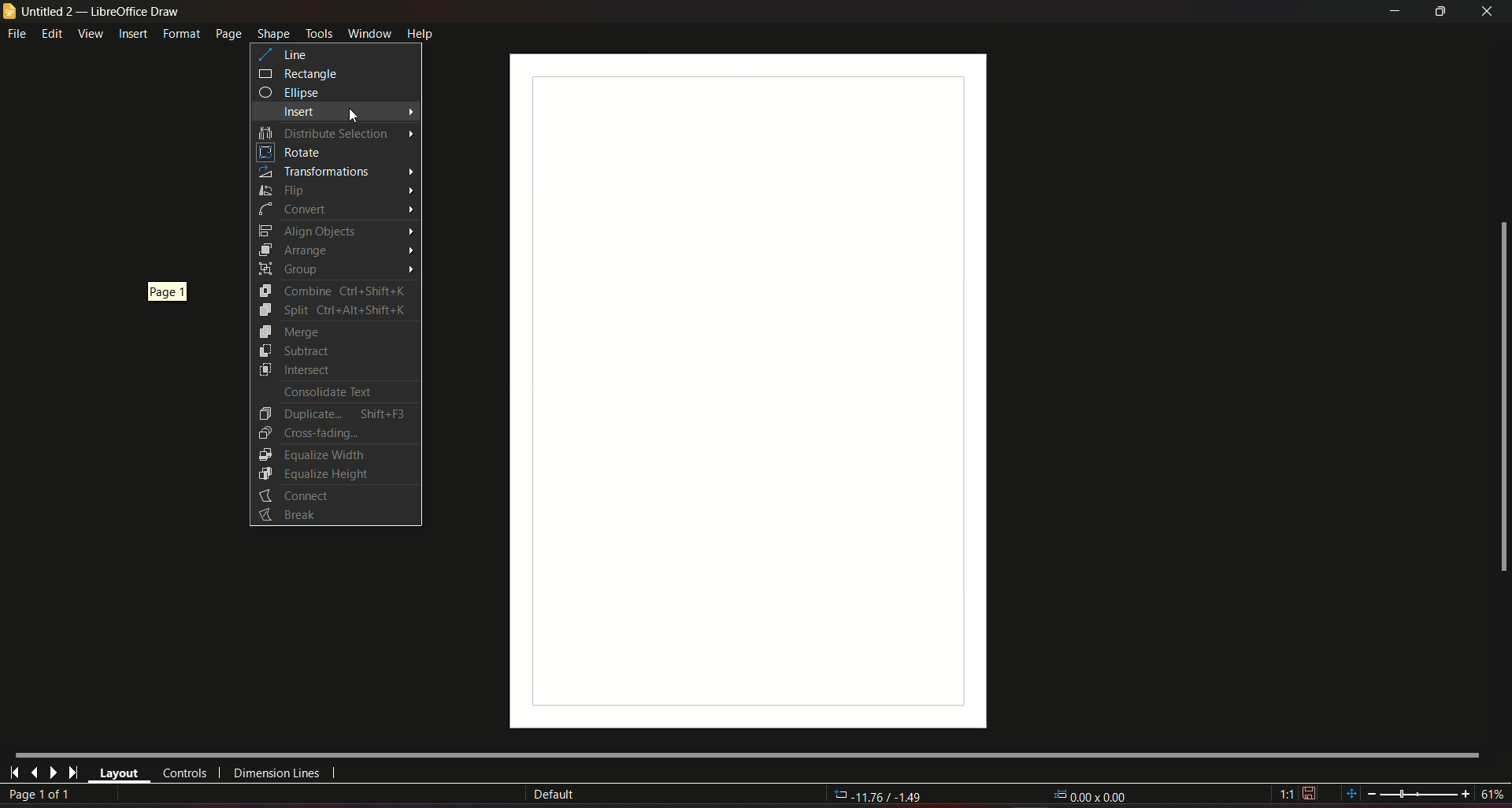 The image size is (1512, 808). I want to click on 0.00x0.00, so click(1091, 797).